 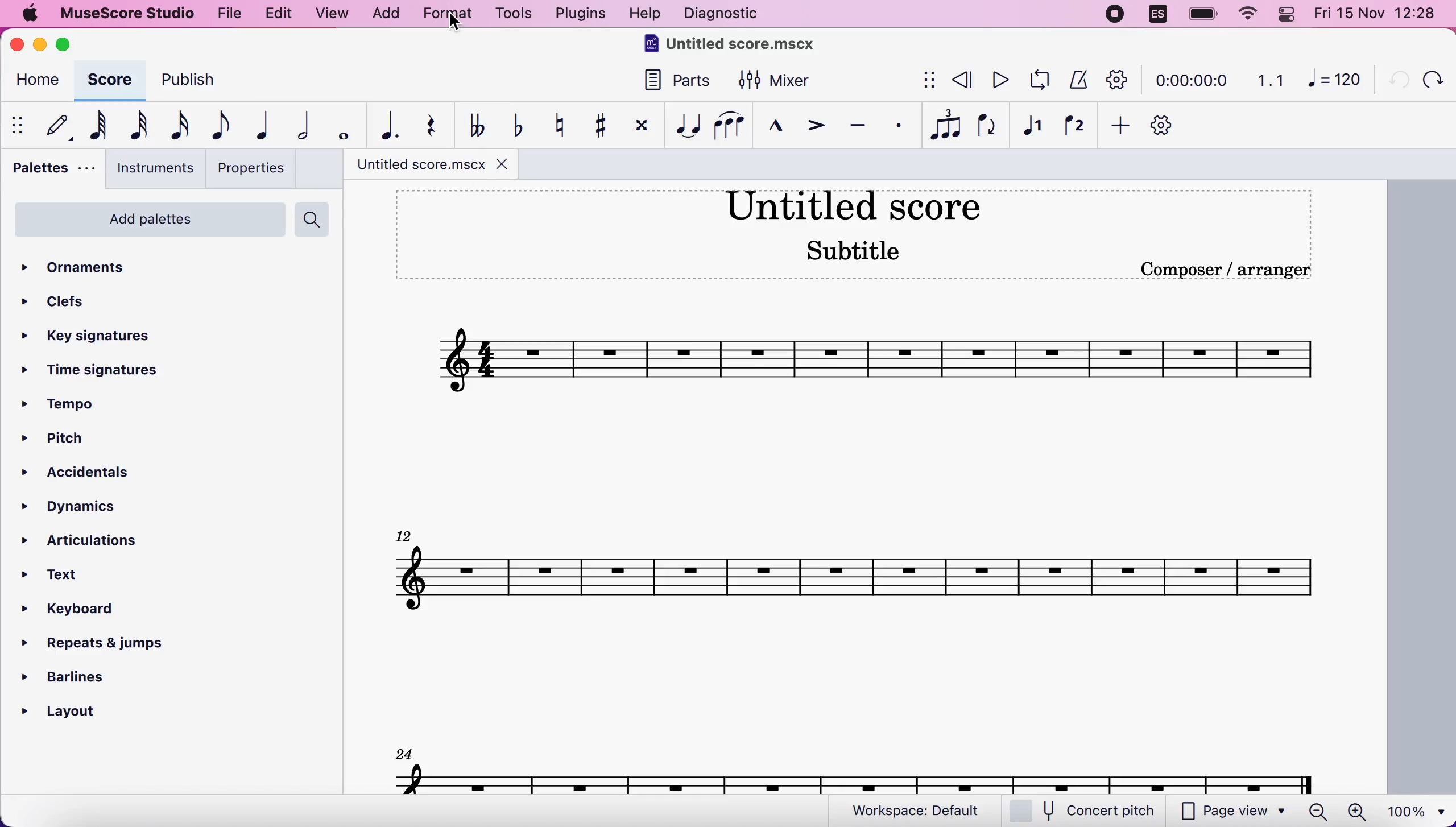 I want to click on tab, so click(x=414, y=163).